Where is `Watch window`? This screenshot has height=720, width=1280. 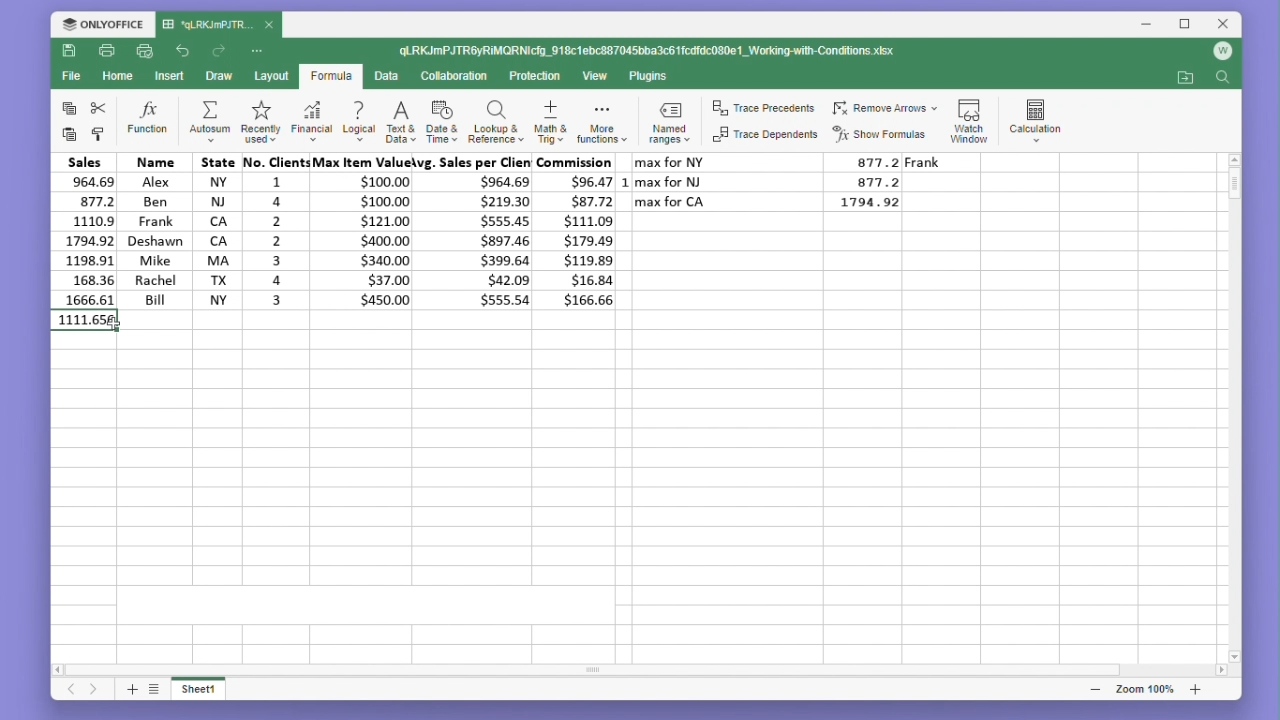 Watch window is located at coordinates (970, 118).